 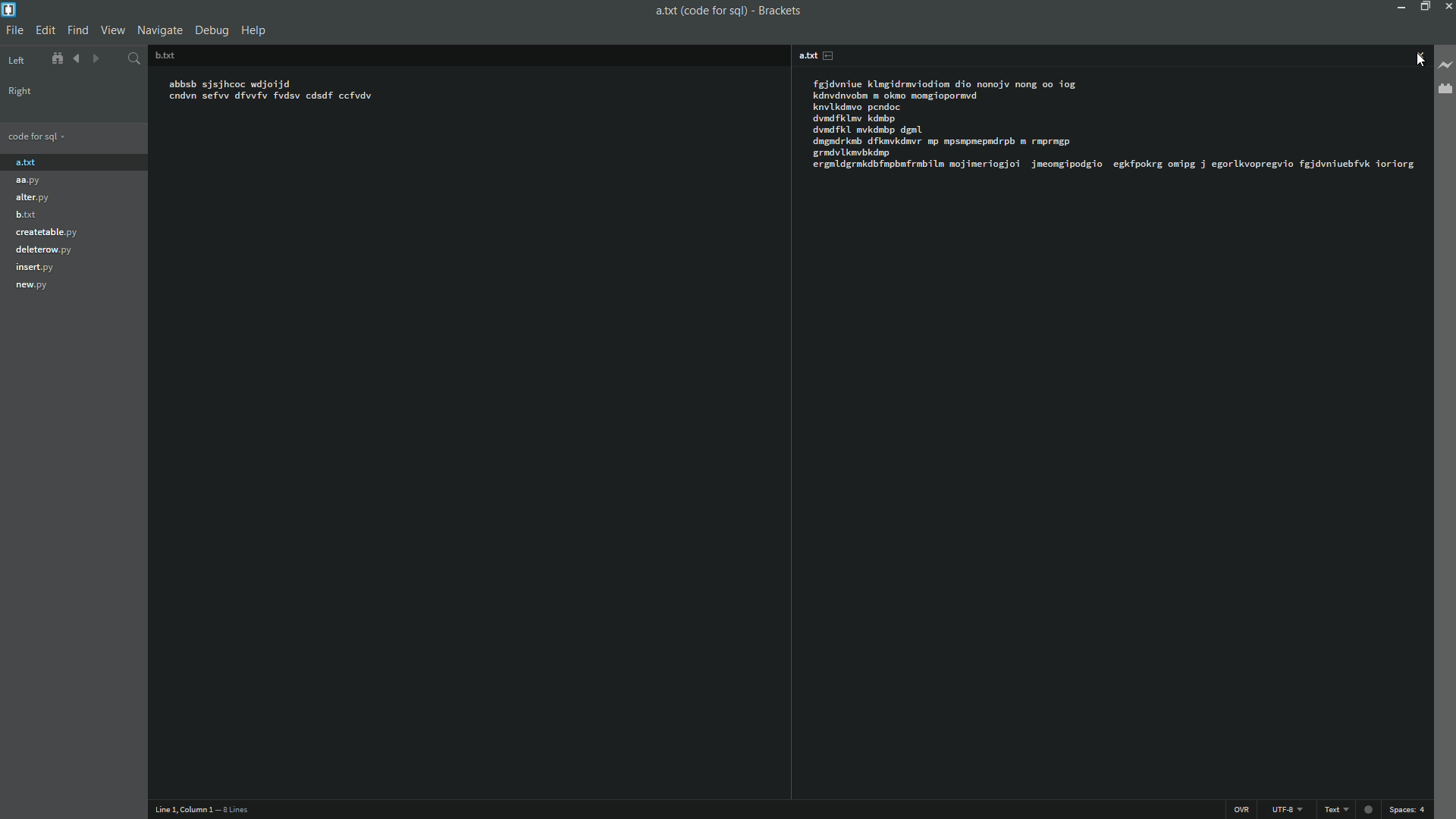 I want to click on abbsb sjsjhcoc wdjoijd
cndvn sefvv dfvvfy fudsv cdsdf ccfvdv, so click(x=371, y=103).